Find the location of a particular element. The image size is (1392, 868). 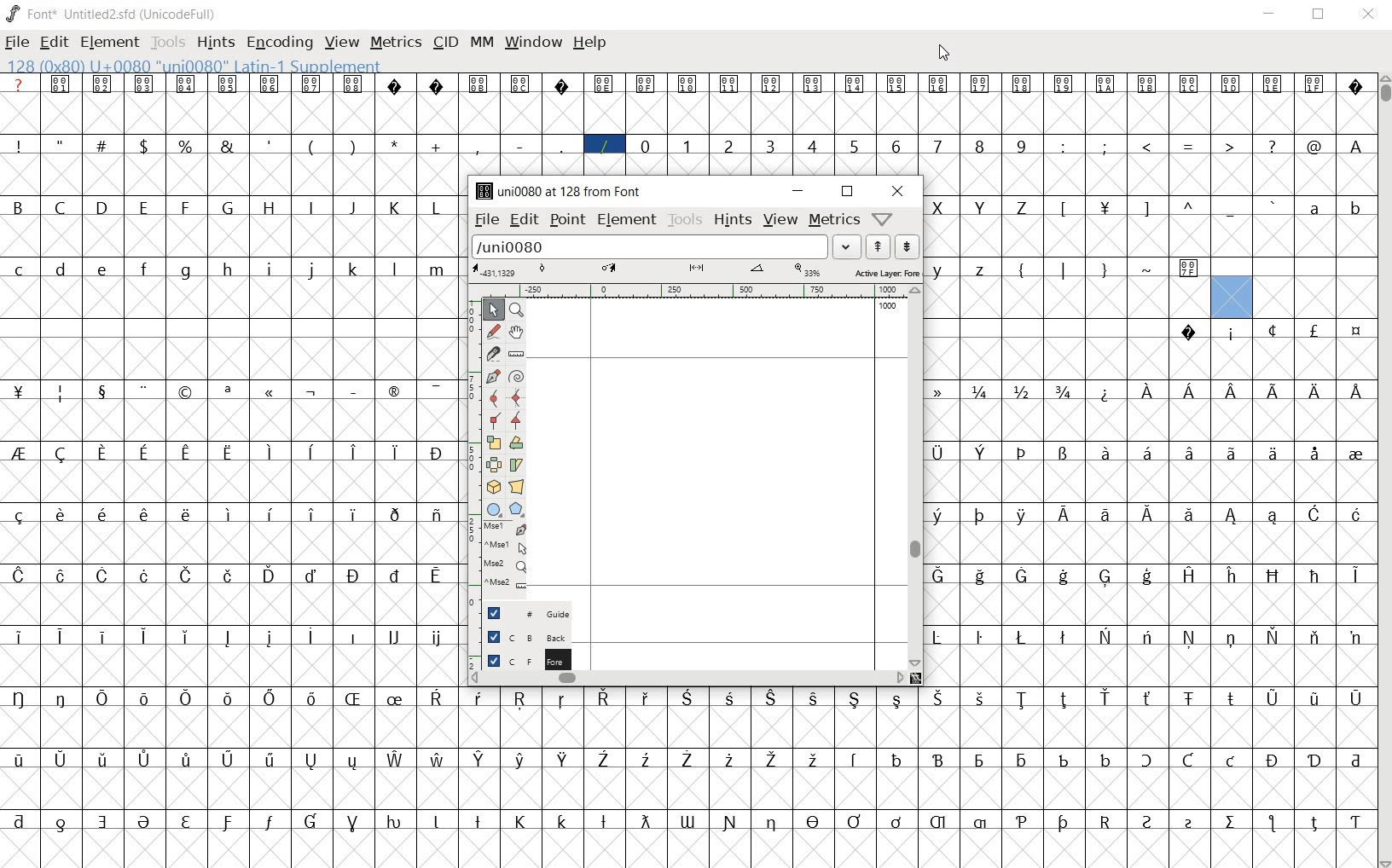

glyph is located at coordinates (228, 84).